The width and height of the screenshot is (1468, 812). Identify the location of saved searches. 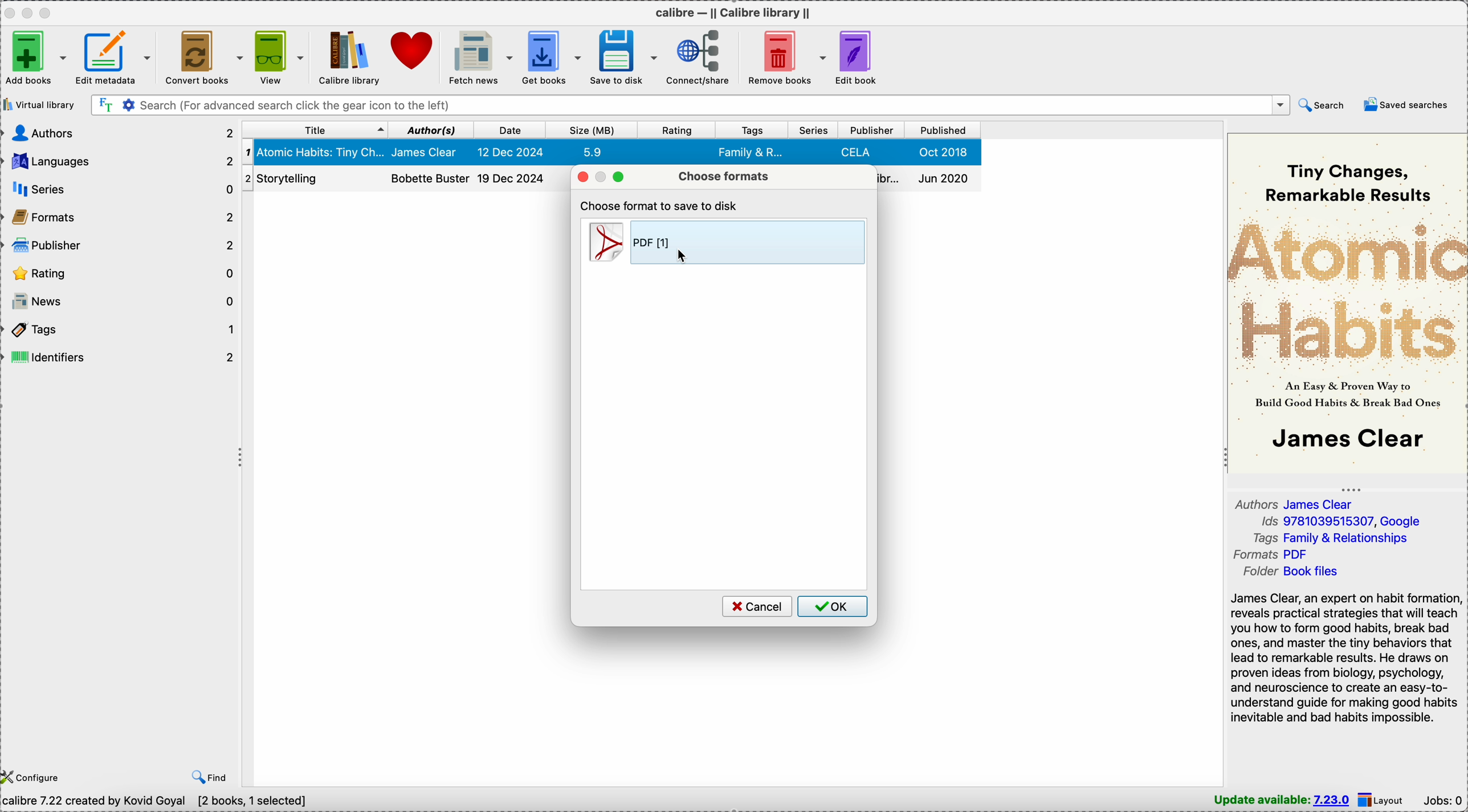
(1406, 104).